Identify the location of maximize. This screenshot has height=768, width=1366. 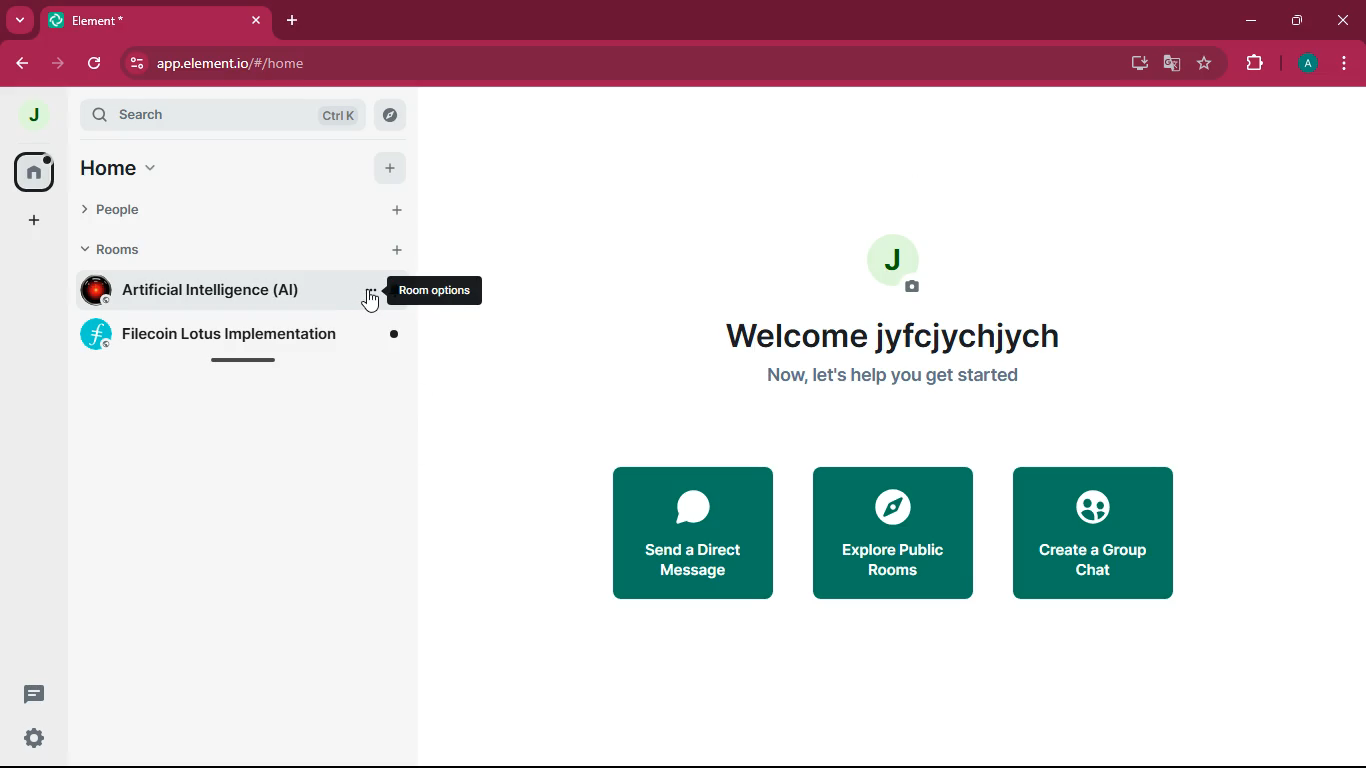
(1296, 22).